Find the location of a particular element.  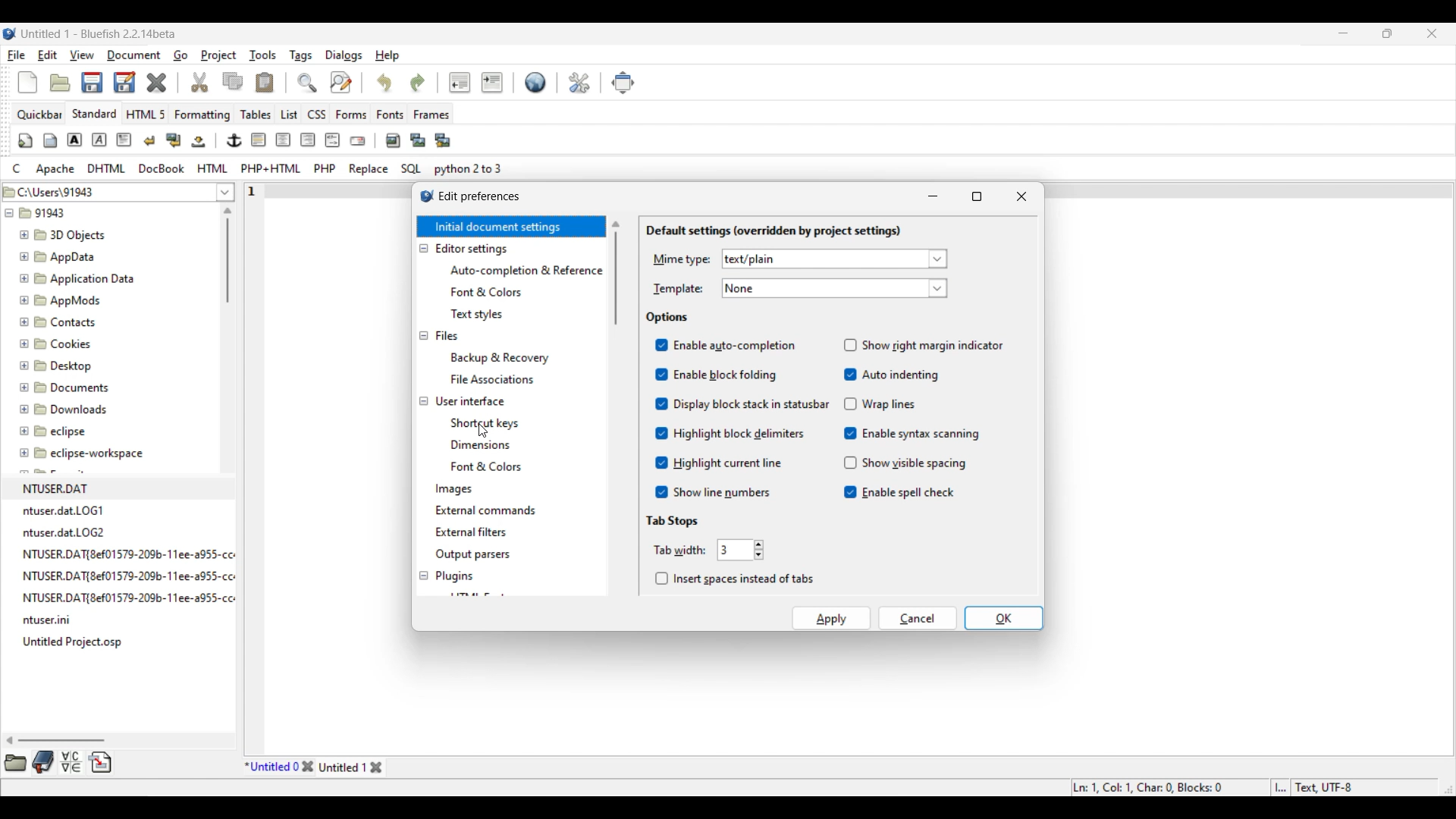

NTUSER.DAT{8ef01579-209b-11ee-a955-ccs is located at coordinates (140, 598).